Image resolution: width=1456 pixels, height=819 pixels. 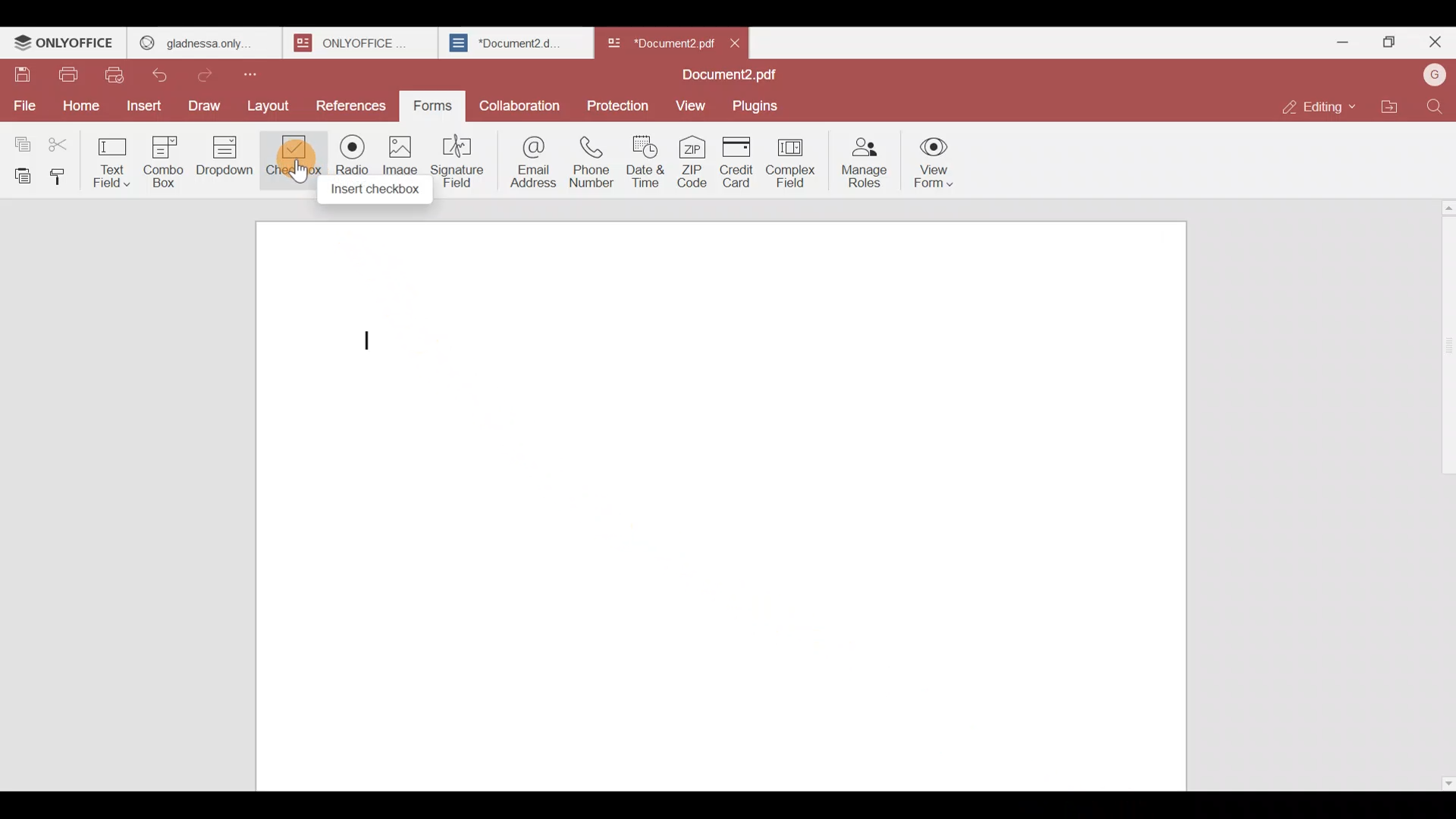 I want to click on Forms, so click(x=434, y=104).